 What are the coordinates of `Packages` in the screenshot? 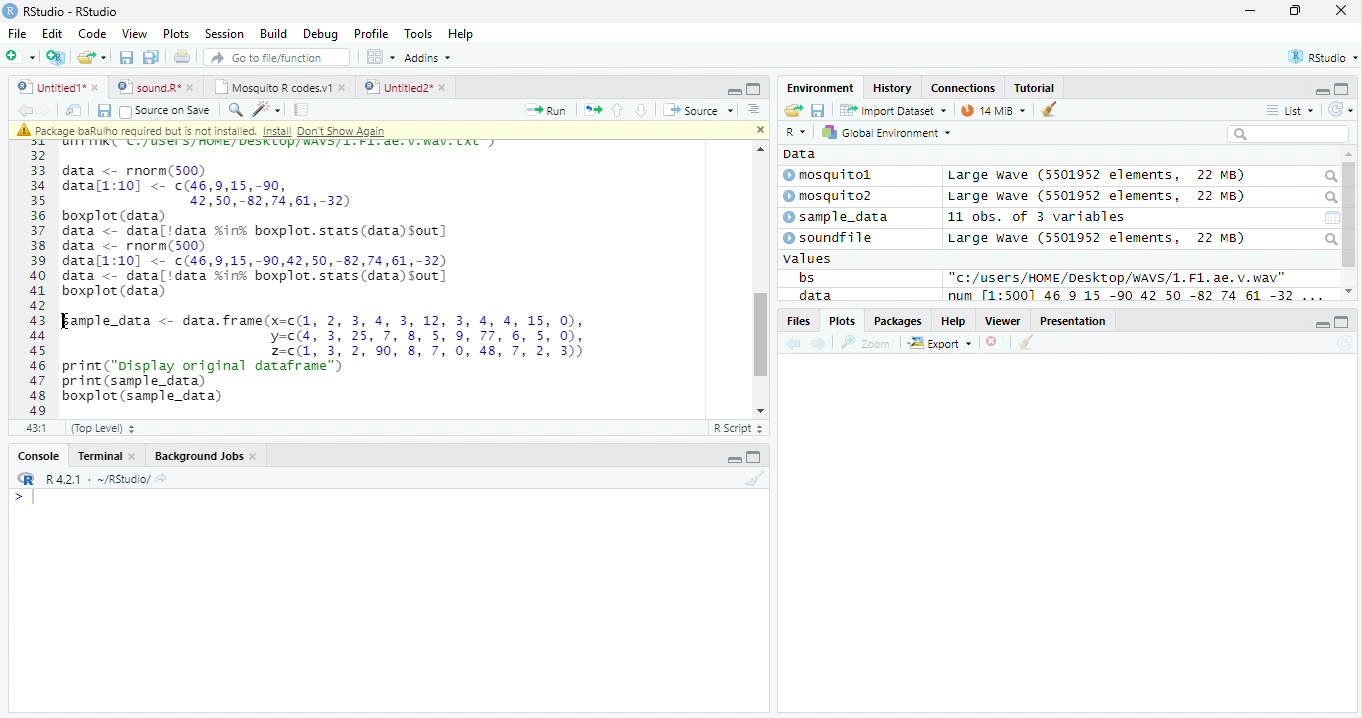 It's located at (899, 321).